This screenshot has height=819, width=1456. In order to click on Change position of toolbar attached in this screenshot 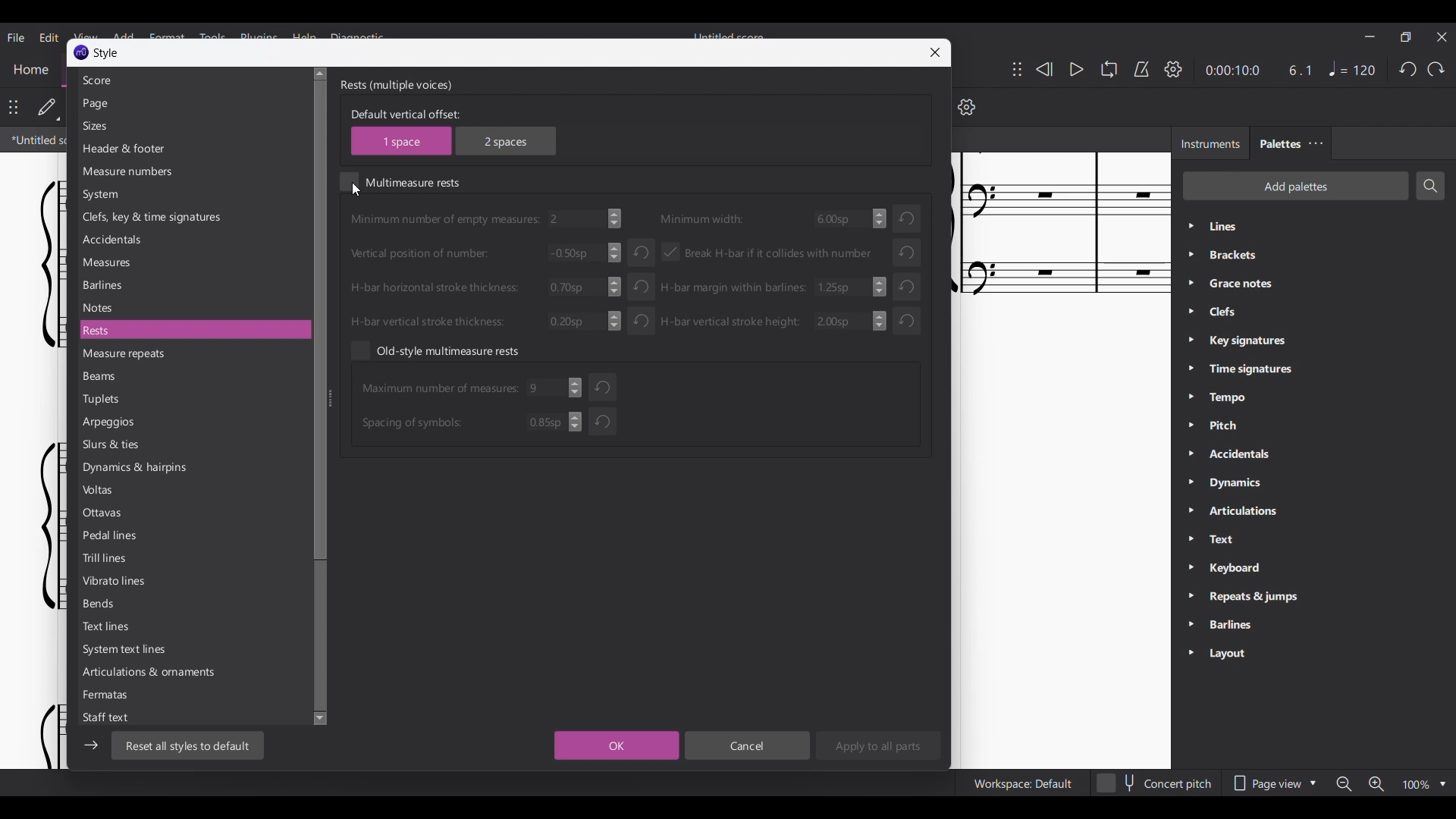, I will do `click(1017, 69)`.